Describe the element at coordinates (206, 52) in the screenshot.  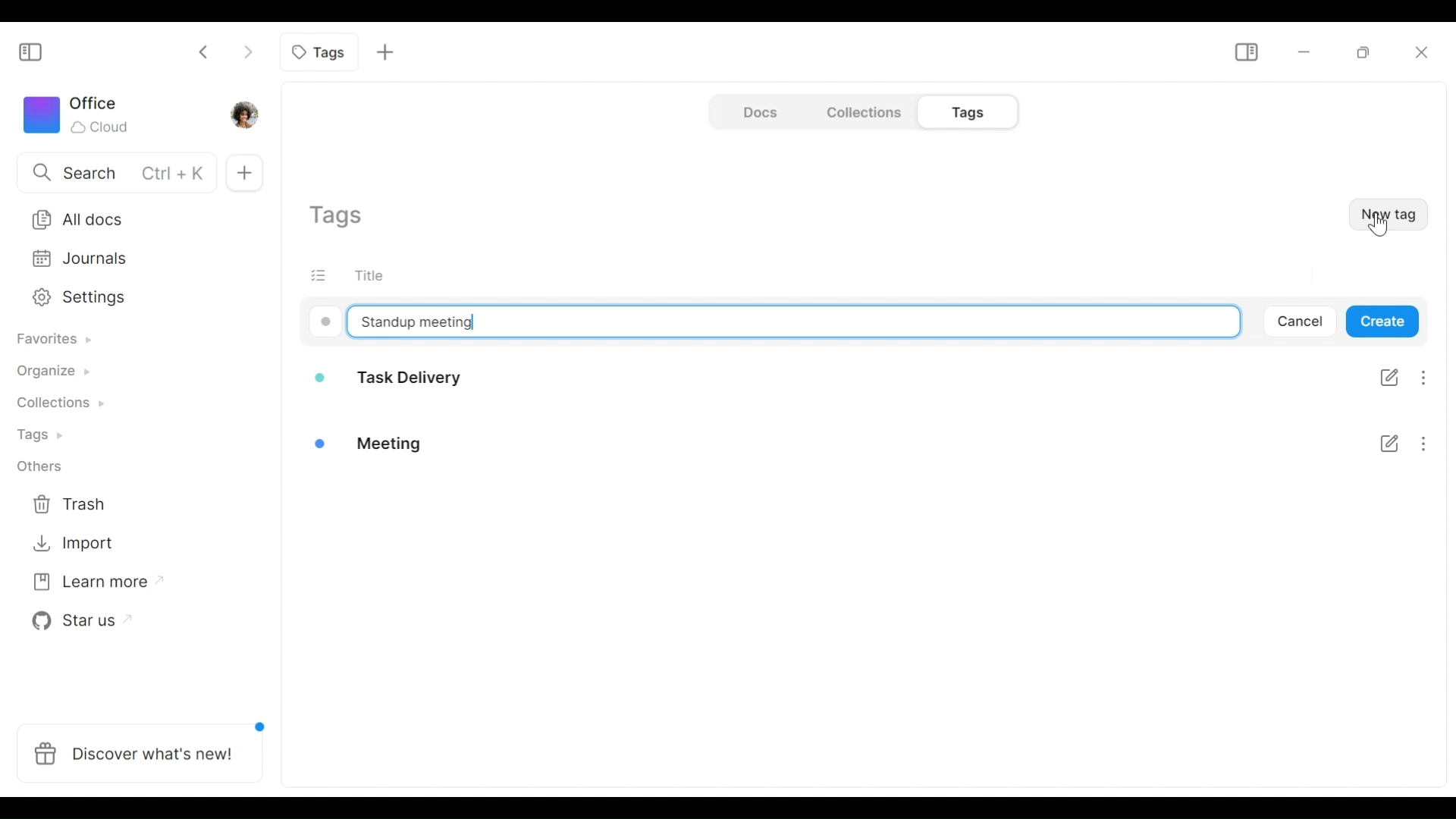
I see `Click to go back` at that location.